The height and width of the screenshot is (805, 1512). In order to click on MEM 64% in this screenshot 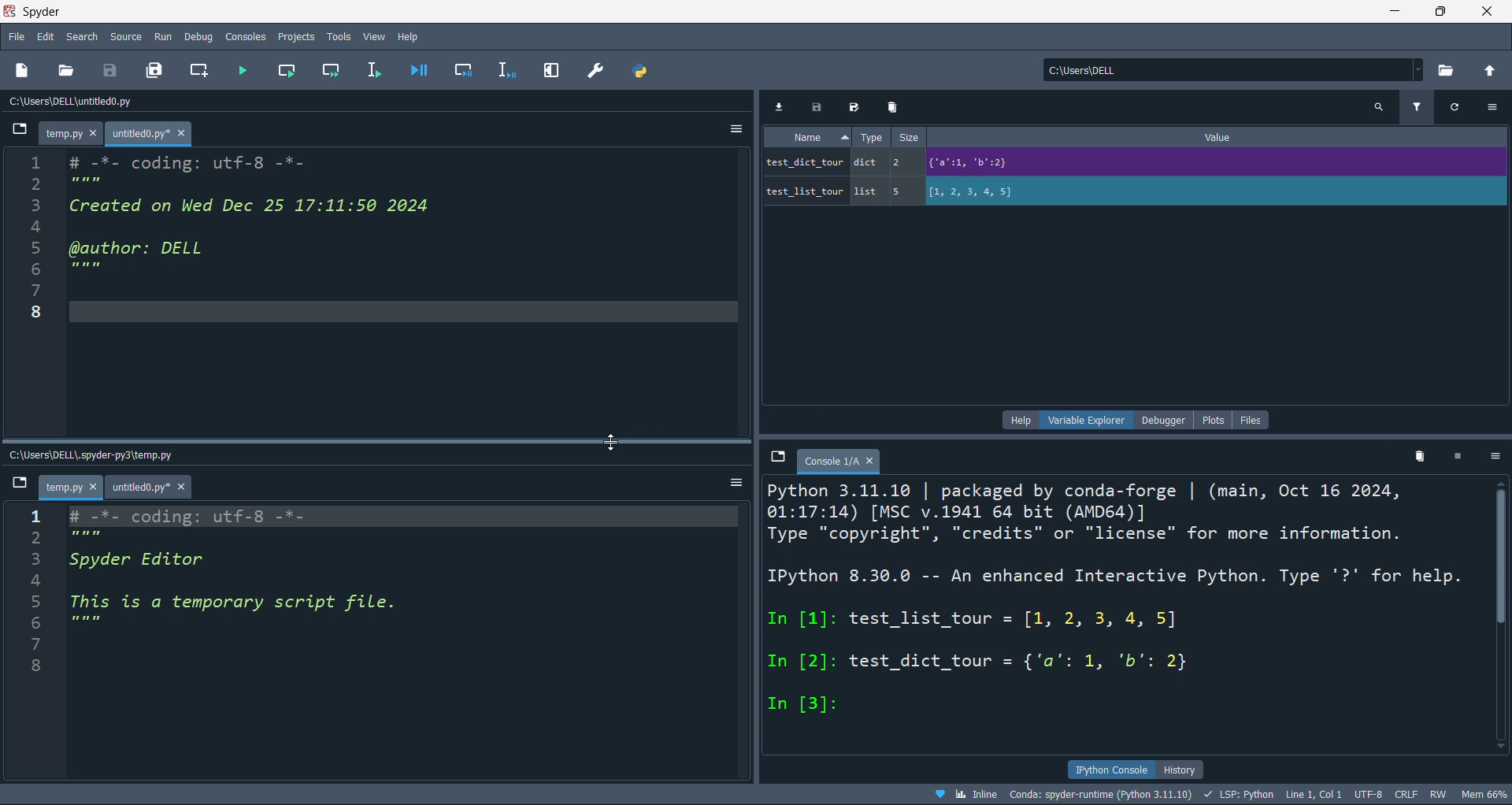, I will do `click(1488, 793)`.